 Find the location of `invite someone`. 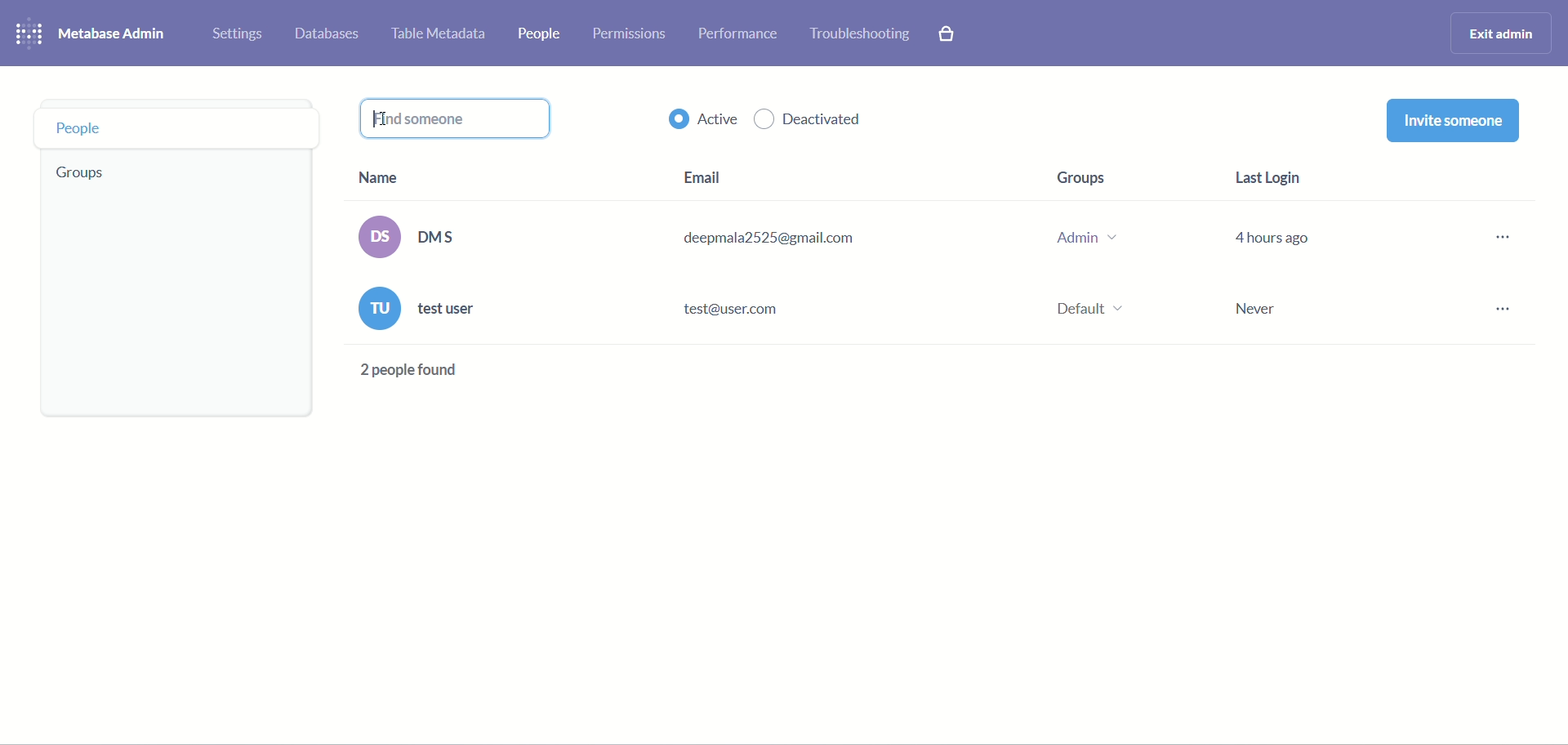

invite someone is located at coordinates (1454, 122).